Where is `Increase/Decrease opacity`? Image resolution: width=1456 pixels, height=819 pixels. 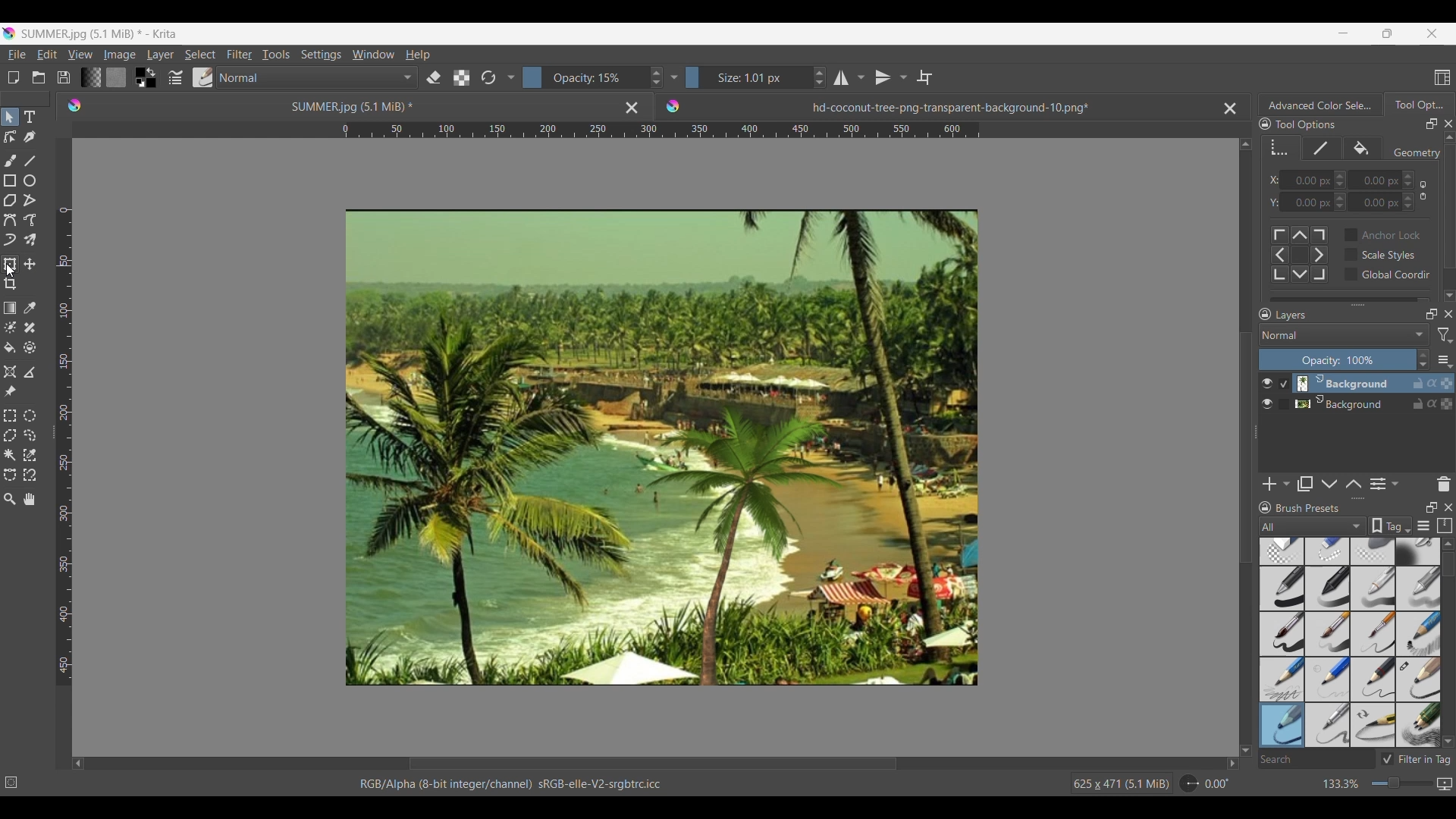 Increase/Decrease opacity is located at coordinates (593, 77).